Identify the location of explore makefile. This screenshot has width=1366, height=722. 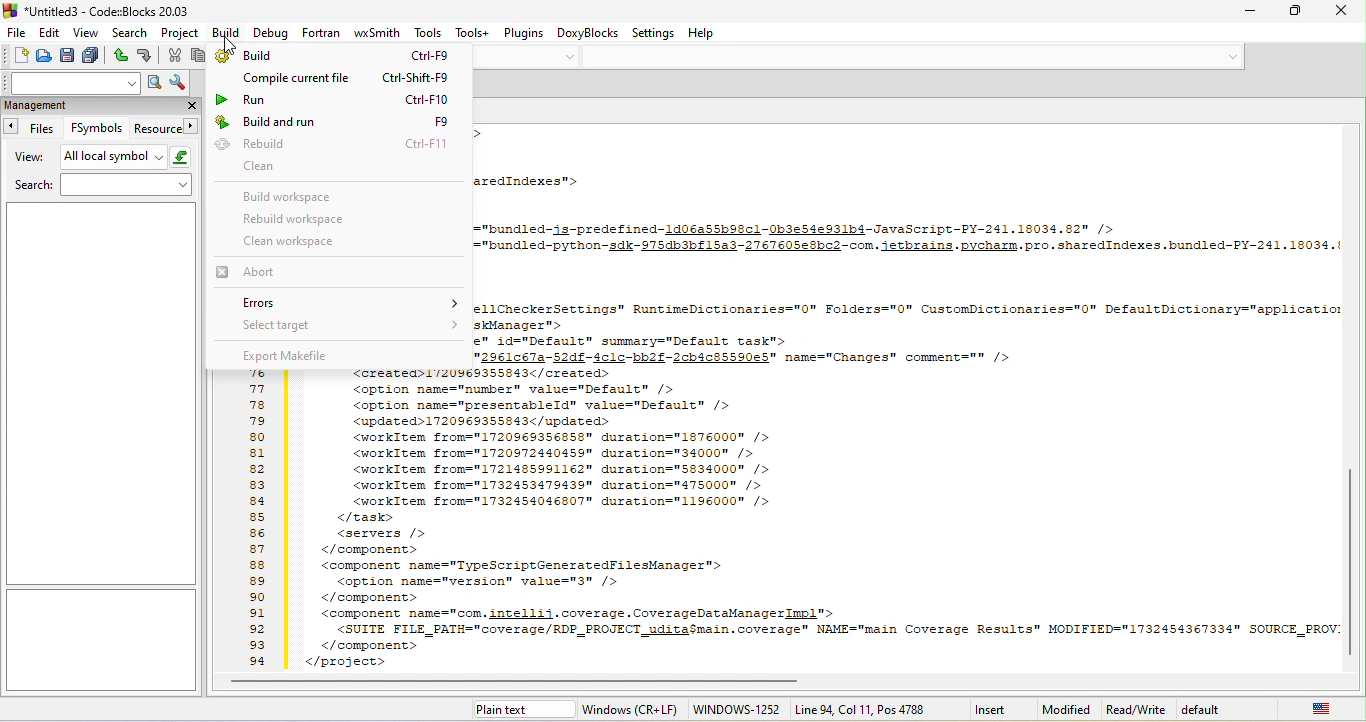
(337, 352).